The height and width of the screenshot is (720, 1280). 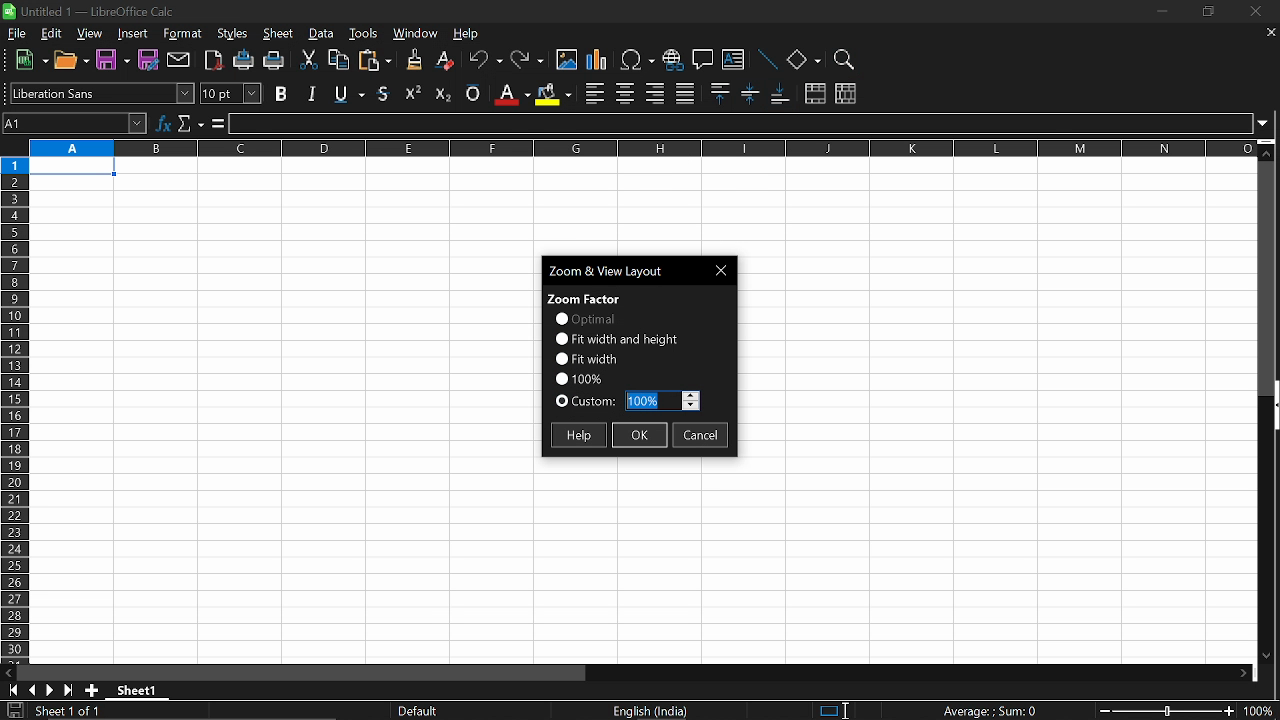 I want to click on overline, so click(x=473, y=91).